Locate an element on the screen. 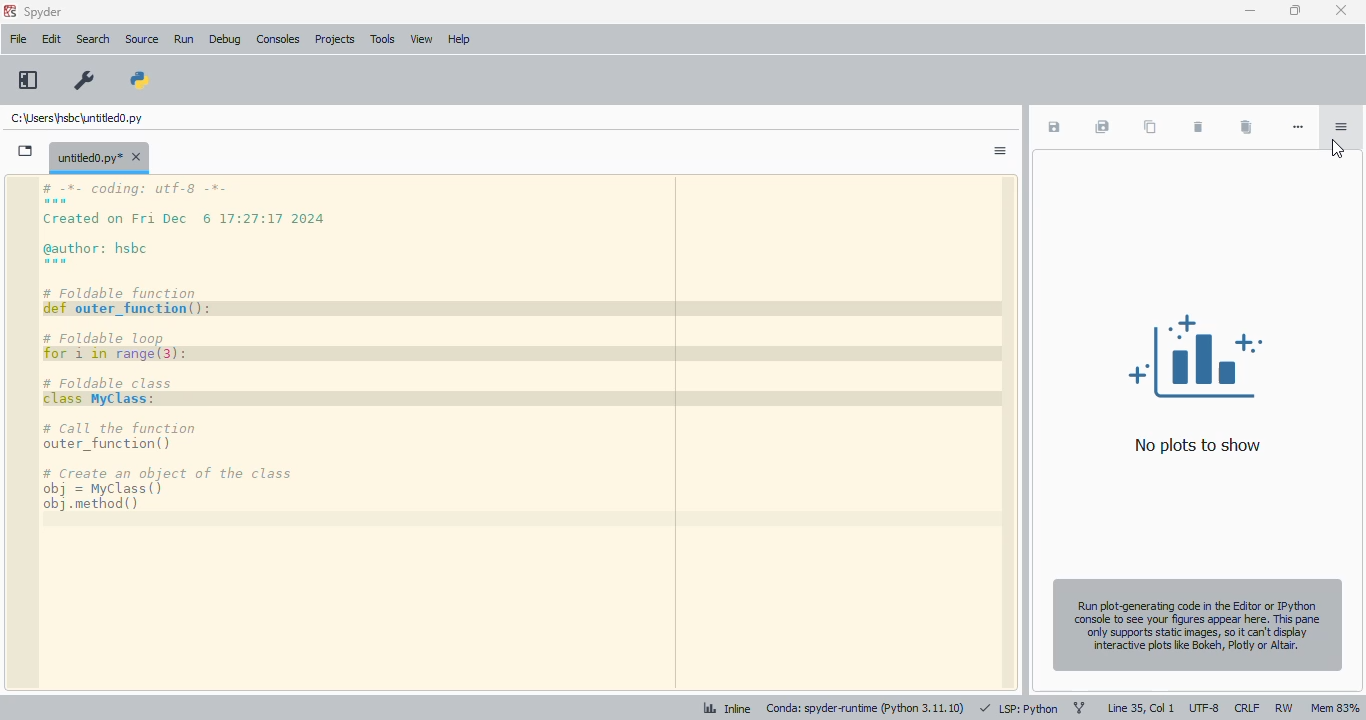 The height and width of the screenshot is (720, 1366). view is located at coordinates (421, 39).